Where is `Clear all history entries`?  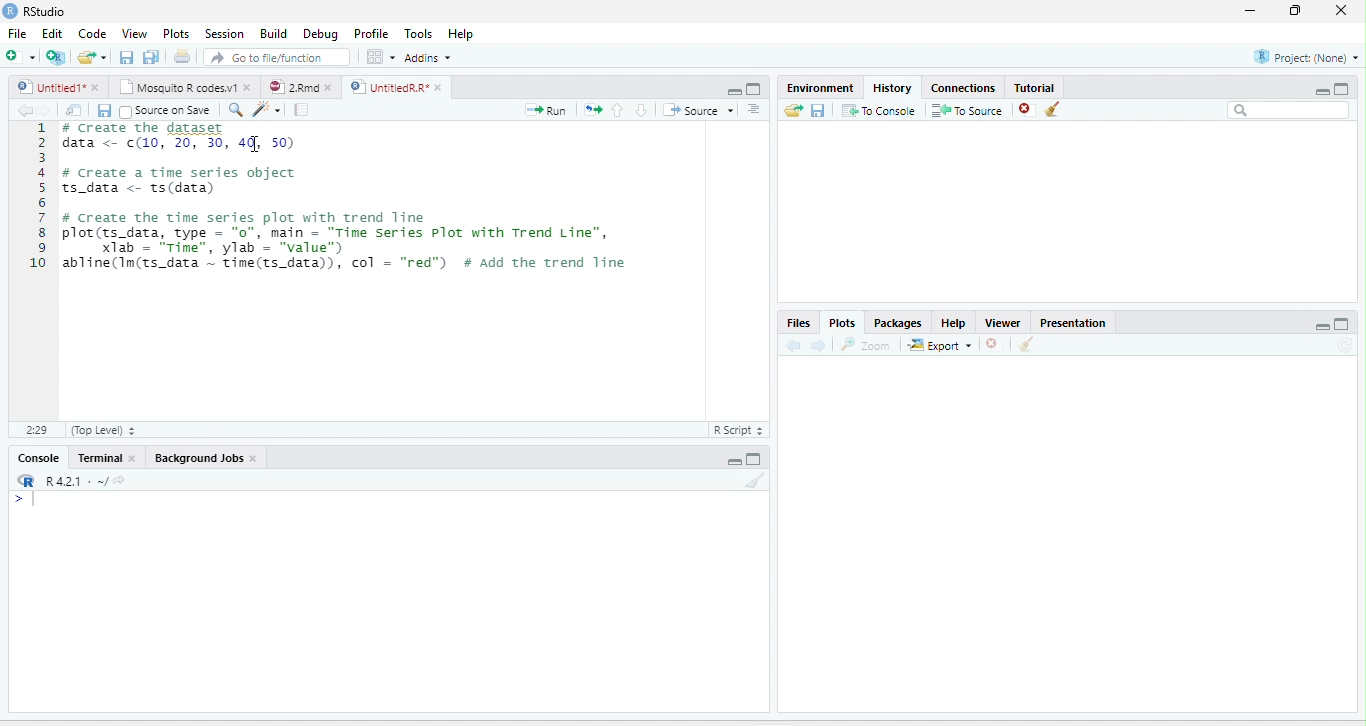 Clear all history entries is located at coordinates (1053, 109).